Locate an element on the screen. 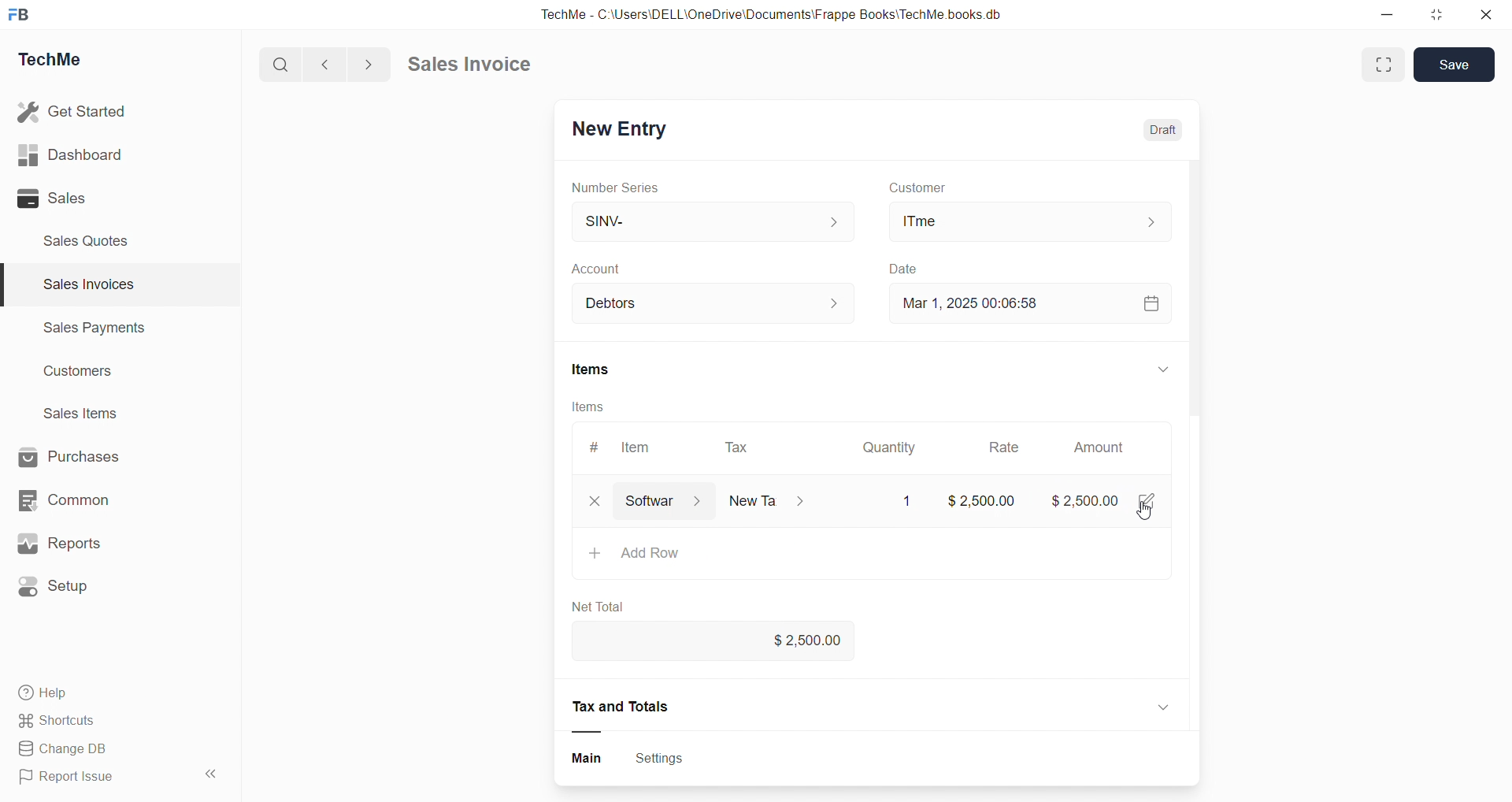  ull Dashboard is located at coordinates (78, 154).